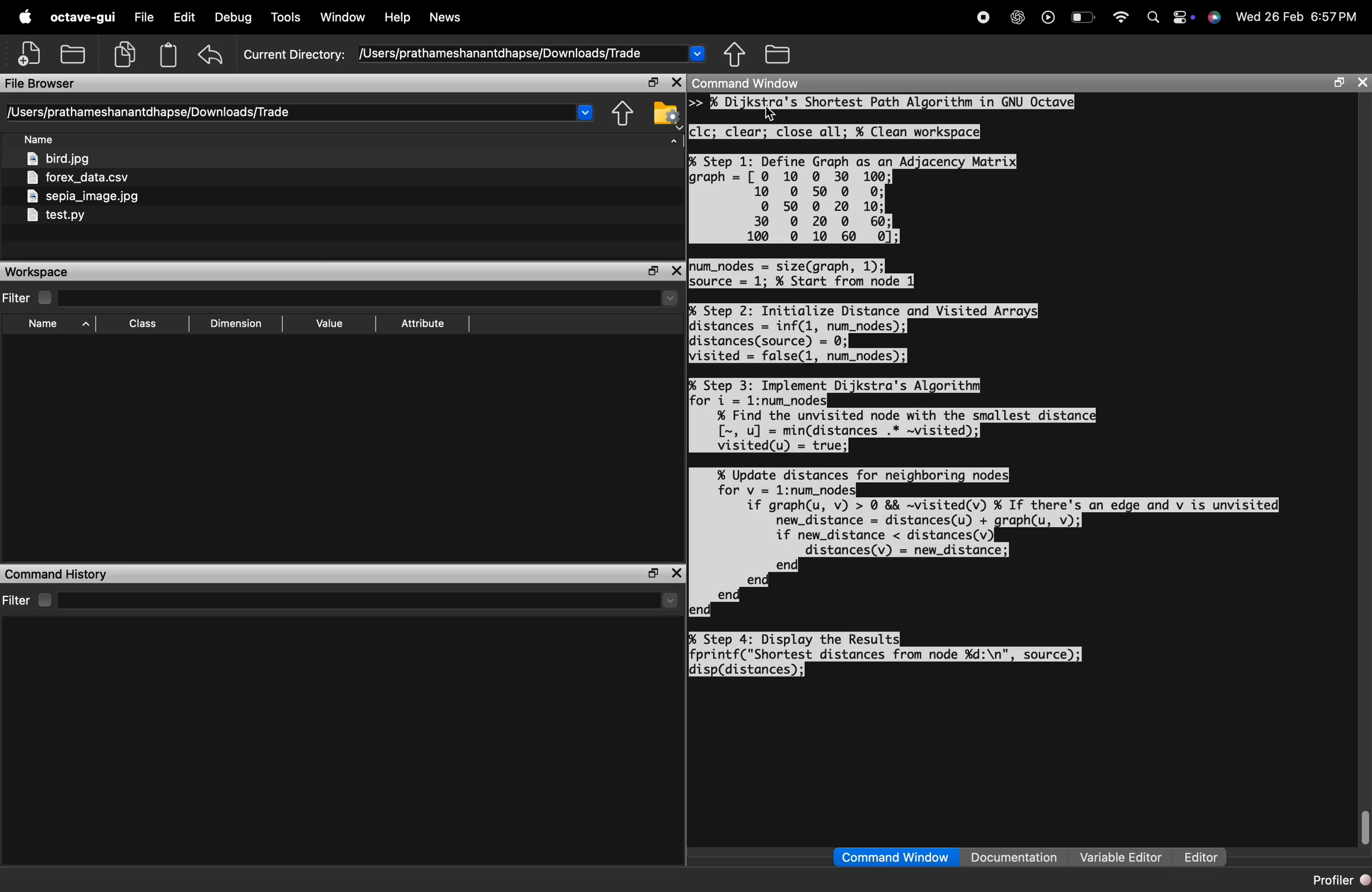  What do you see at coordinates (1155, 18) in the screenshot?
I see `search` at bounding box center [1155, 18].